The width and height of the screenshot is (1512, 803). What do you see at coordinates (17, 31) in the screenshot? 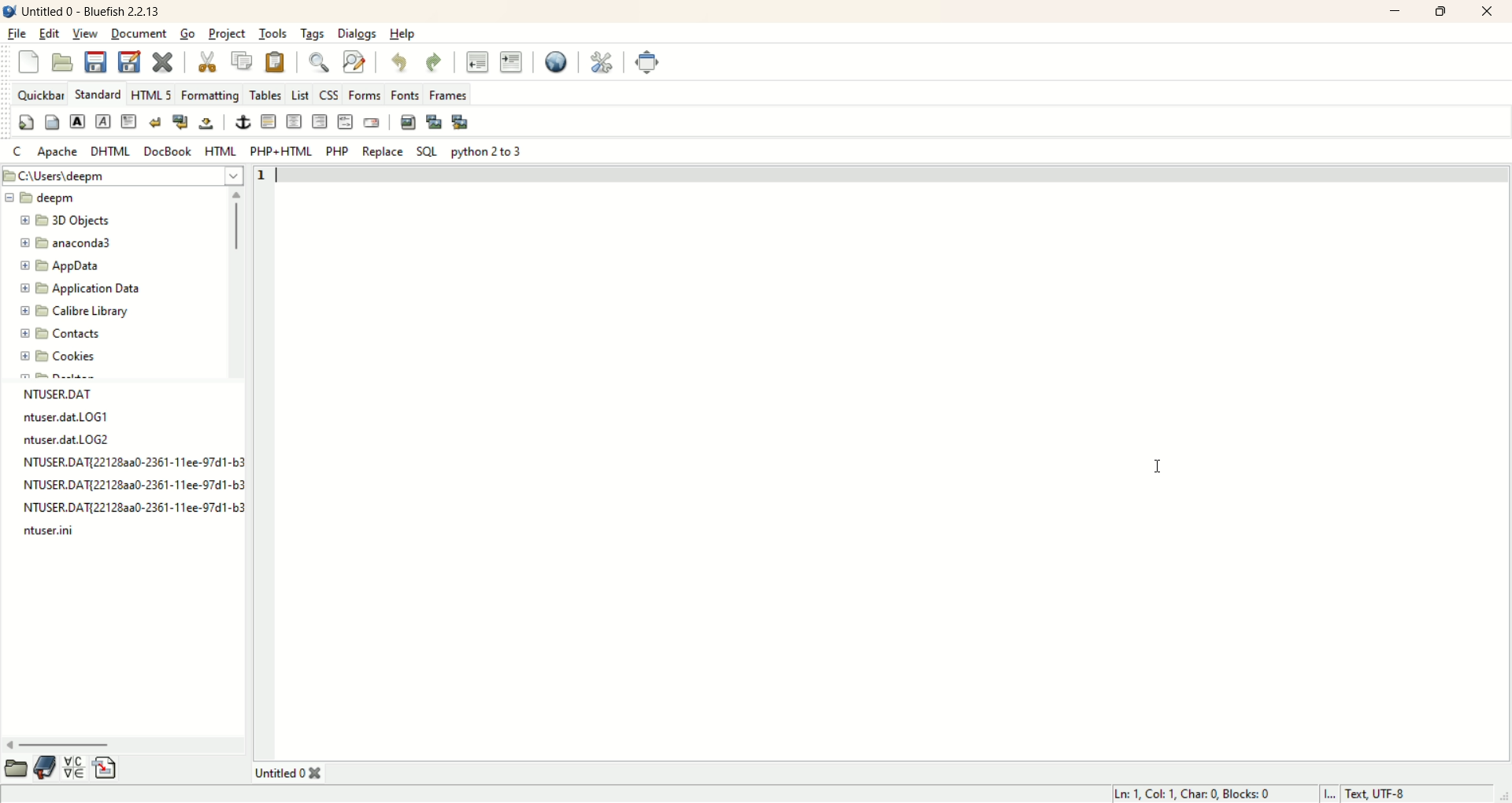
I see `file` at bounding box center [17, 31].